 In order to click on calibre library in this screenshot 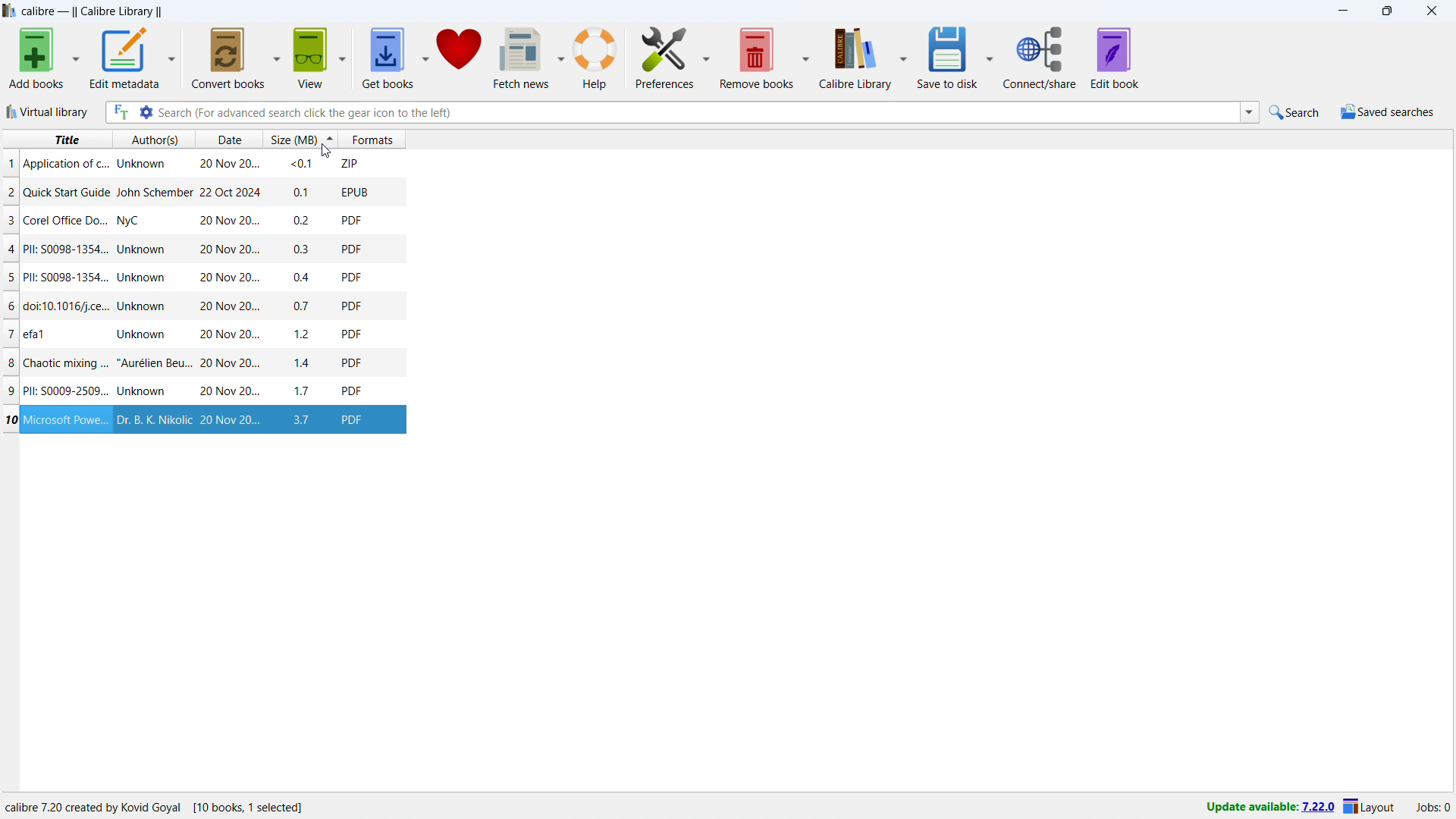, I will do `click(855, 58)`.